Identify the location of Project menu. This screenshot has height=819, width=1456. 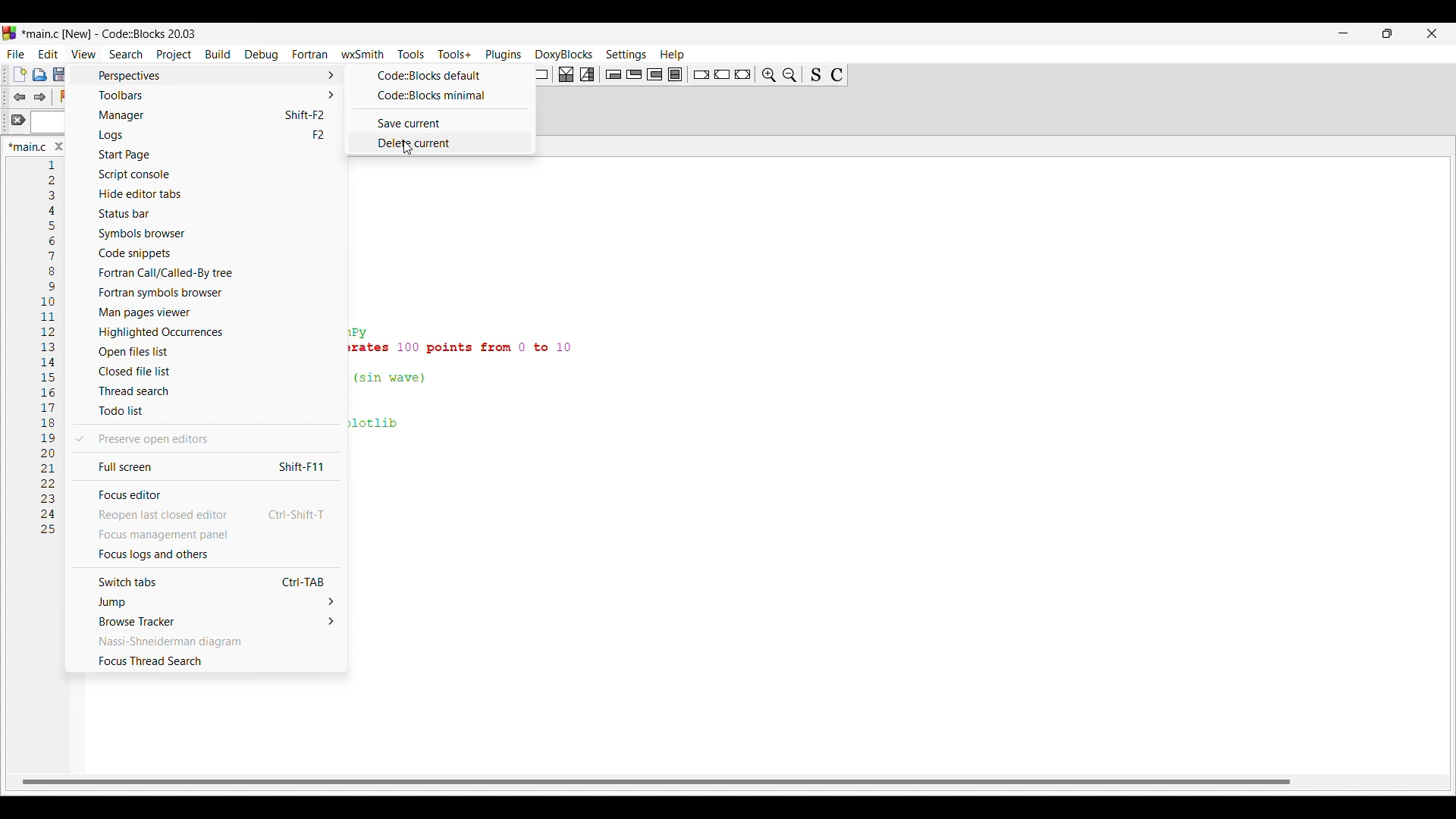
(175, 55).